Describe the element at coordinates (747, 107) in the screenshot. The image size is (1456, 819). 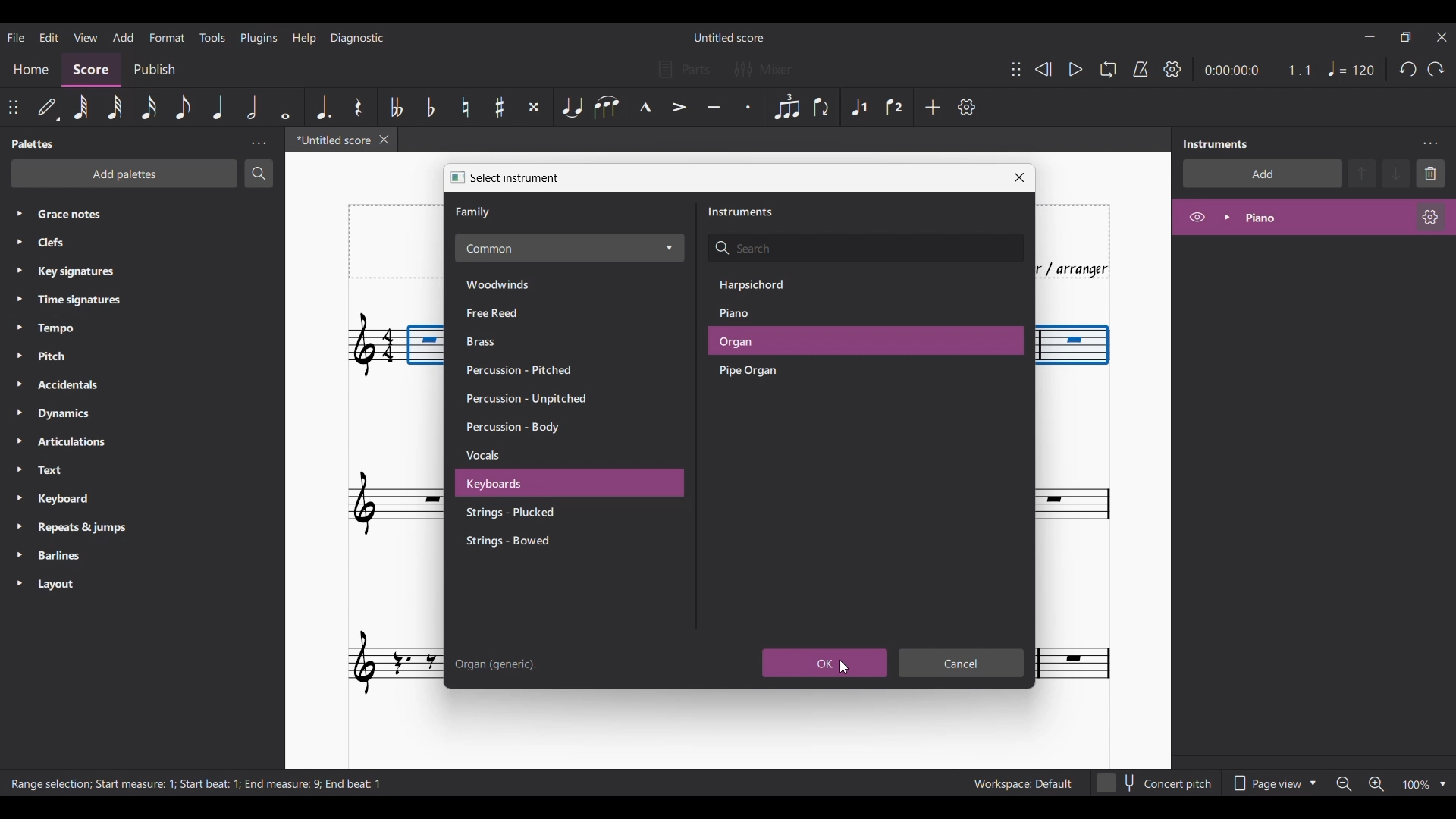
I see `Staccato` at that location.